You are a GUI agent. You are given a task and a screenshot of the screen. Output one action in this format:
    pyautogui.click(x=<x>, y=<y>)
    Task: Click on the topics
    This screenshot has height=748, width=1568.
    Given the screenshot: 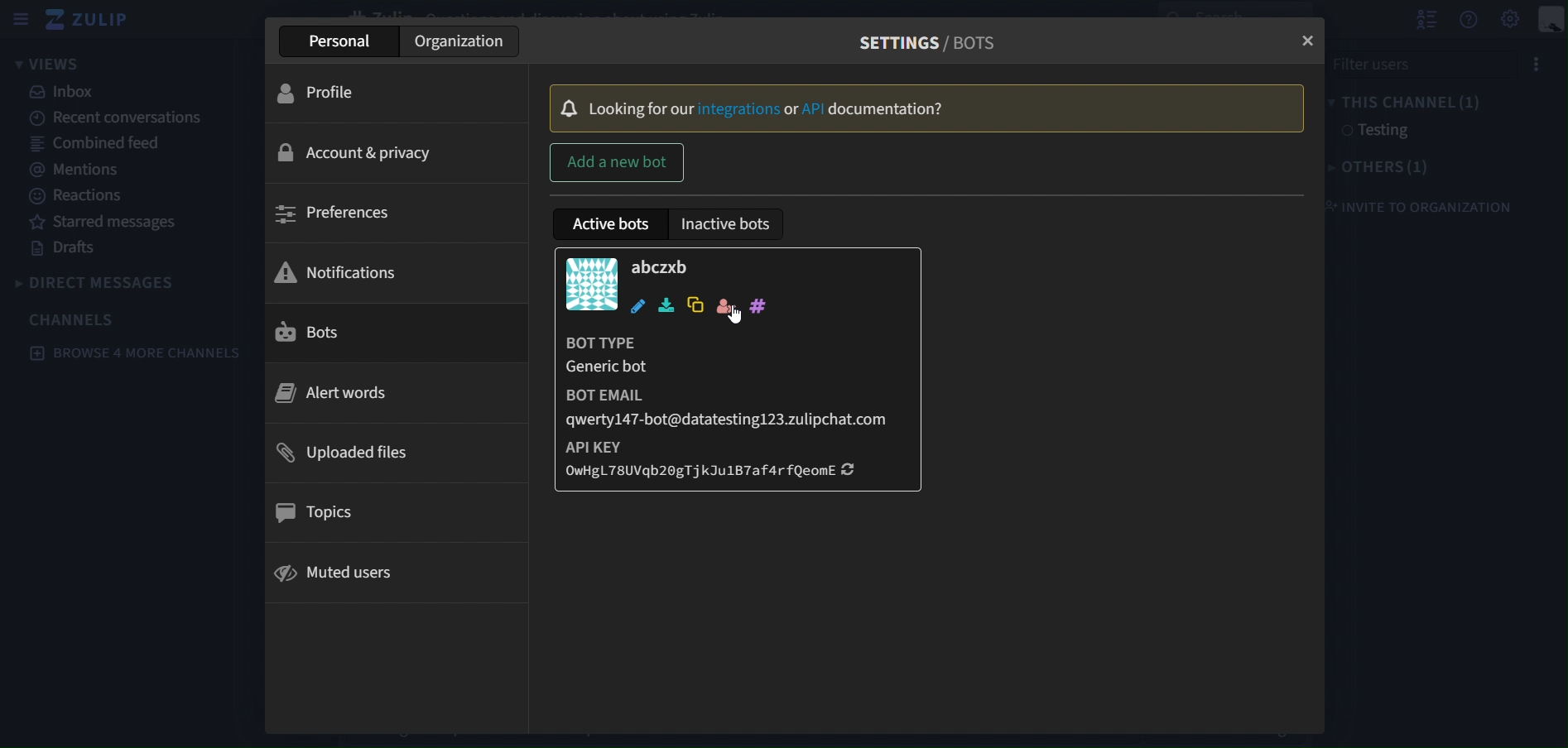 What is the action you would take?
    pyautogui.click(x=320, y=514)
    